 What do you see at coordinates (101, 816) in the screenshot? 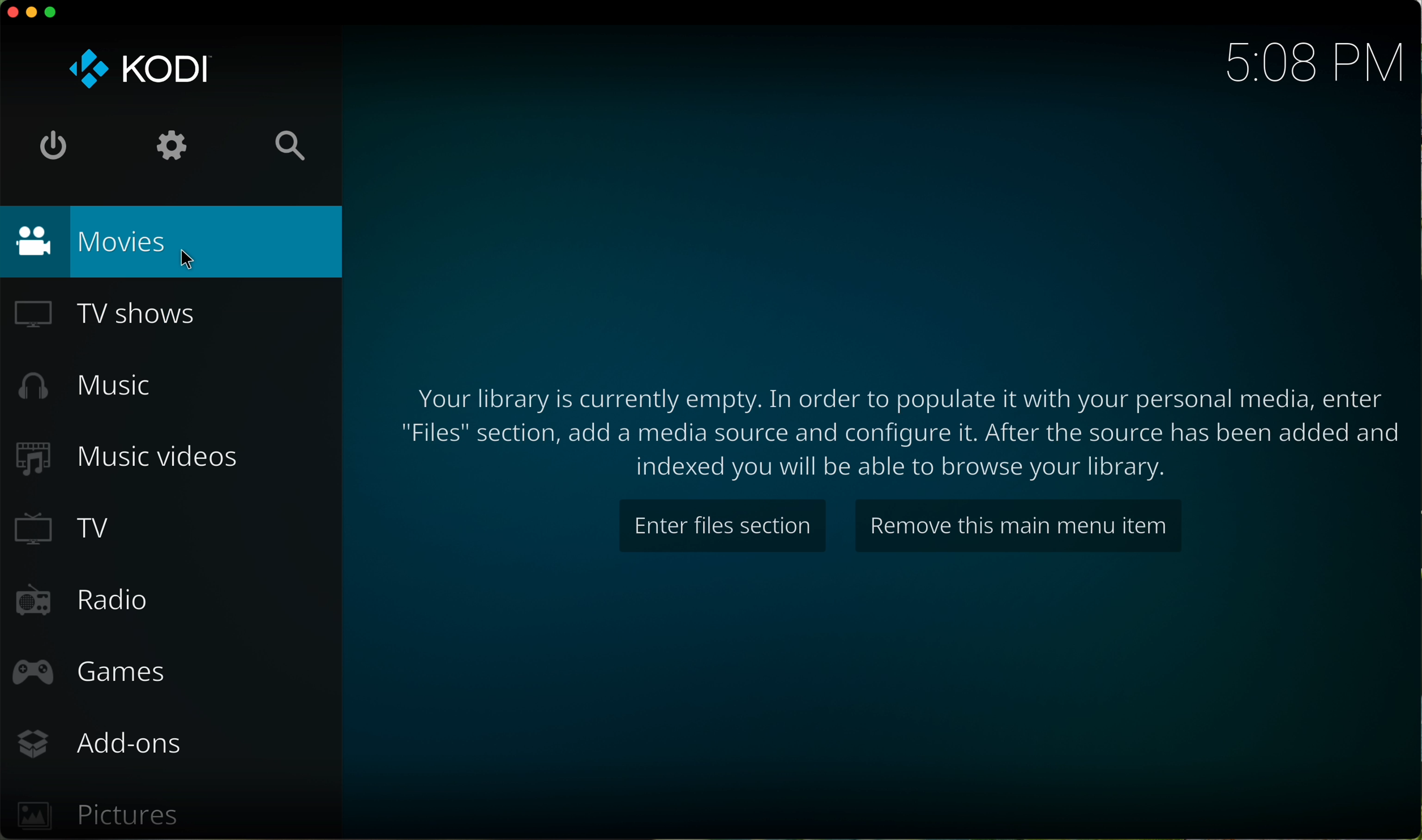
I see `pictures` at bounding box center [101, 816].